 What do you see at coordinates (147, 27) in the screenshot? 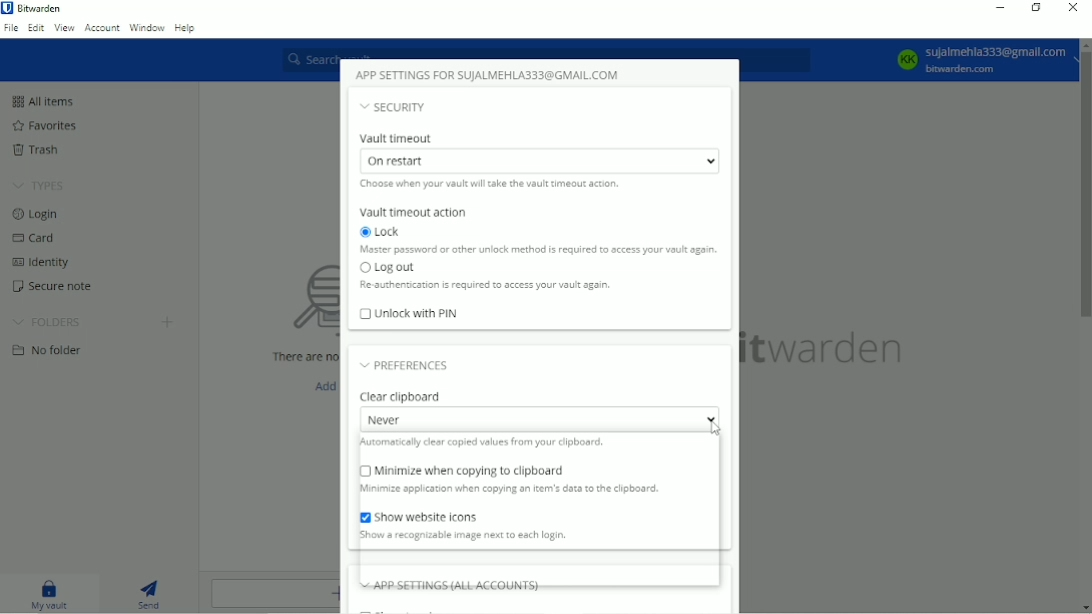
I see `Window` at bounding box center [147, 27].